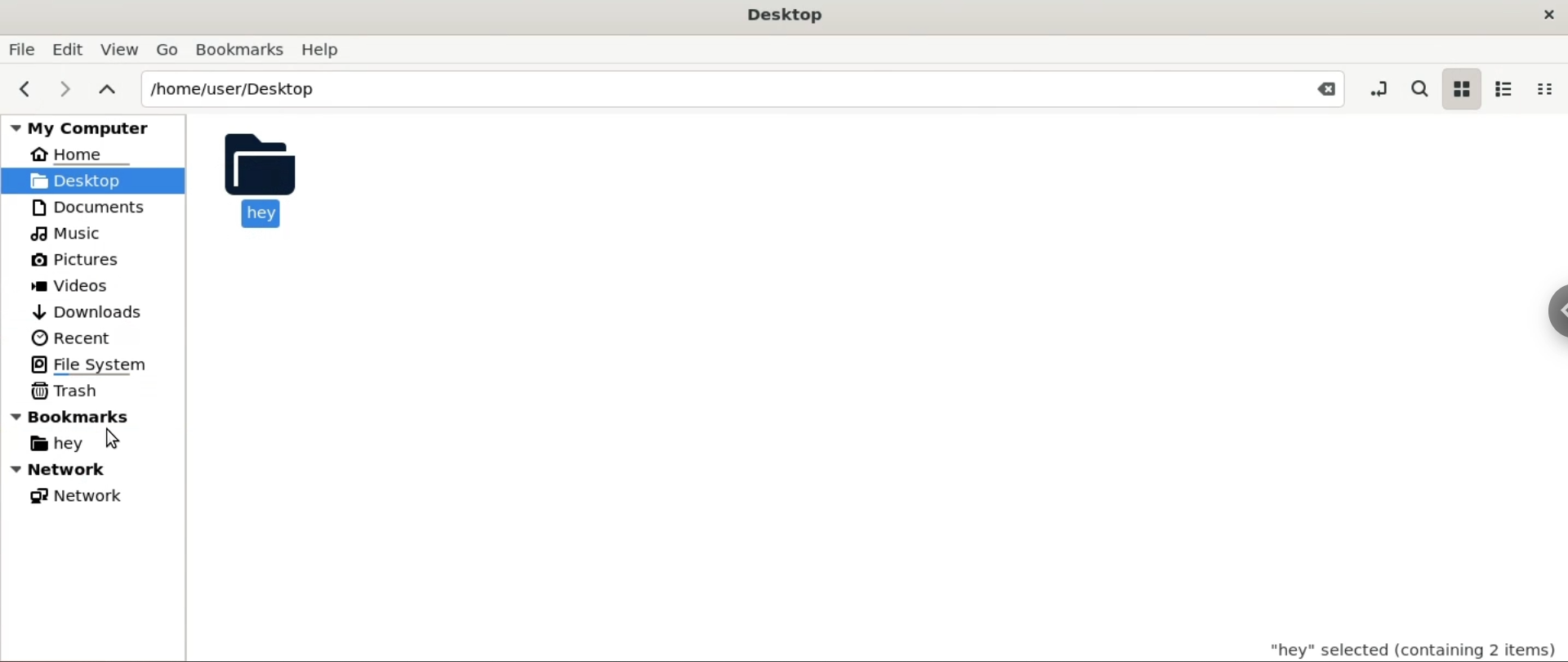 The height and width of the screenshot is (662, 1568). What do you see at coordinates (73, 391) in the screenshot?
I see `Trash` at bounding box center [73, 391].